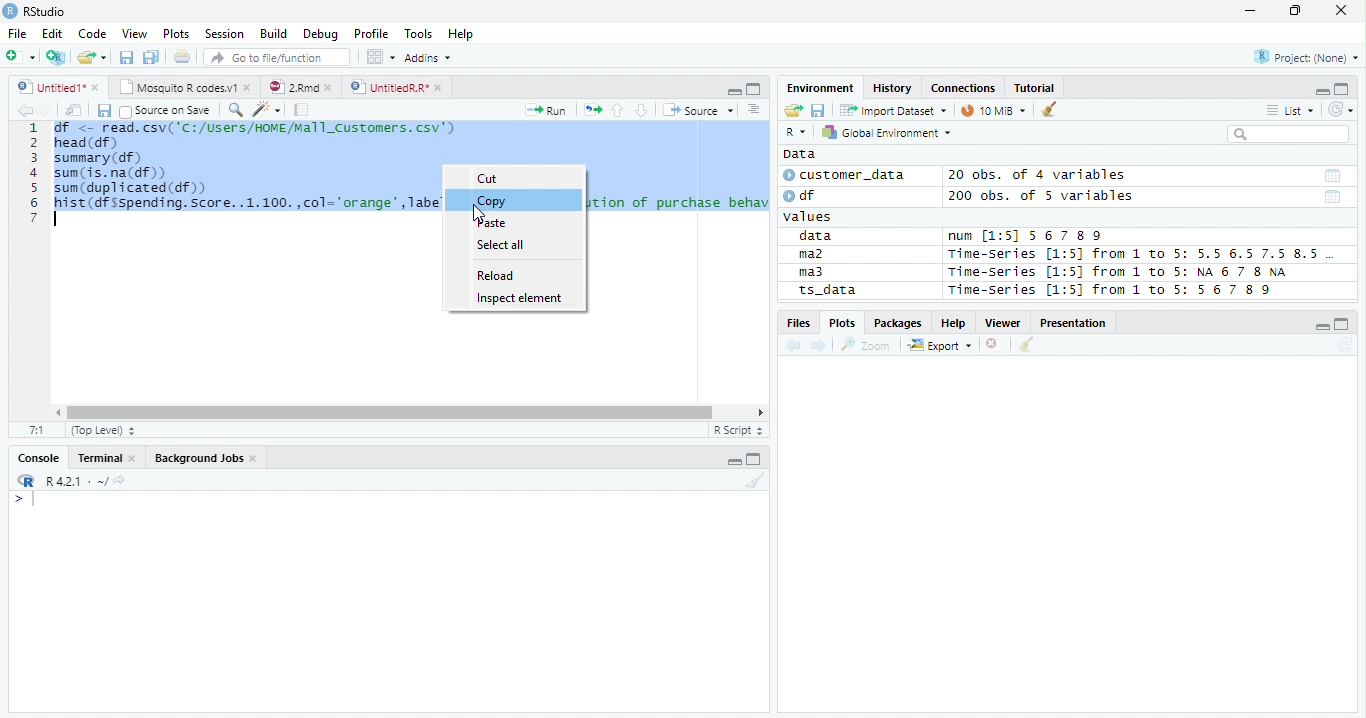 This screenshot has height=718, width=1366. What do you see at coordinates (57, 87) in the screenshot?
I see `Untitiled1` at bounding box center [57, 87].